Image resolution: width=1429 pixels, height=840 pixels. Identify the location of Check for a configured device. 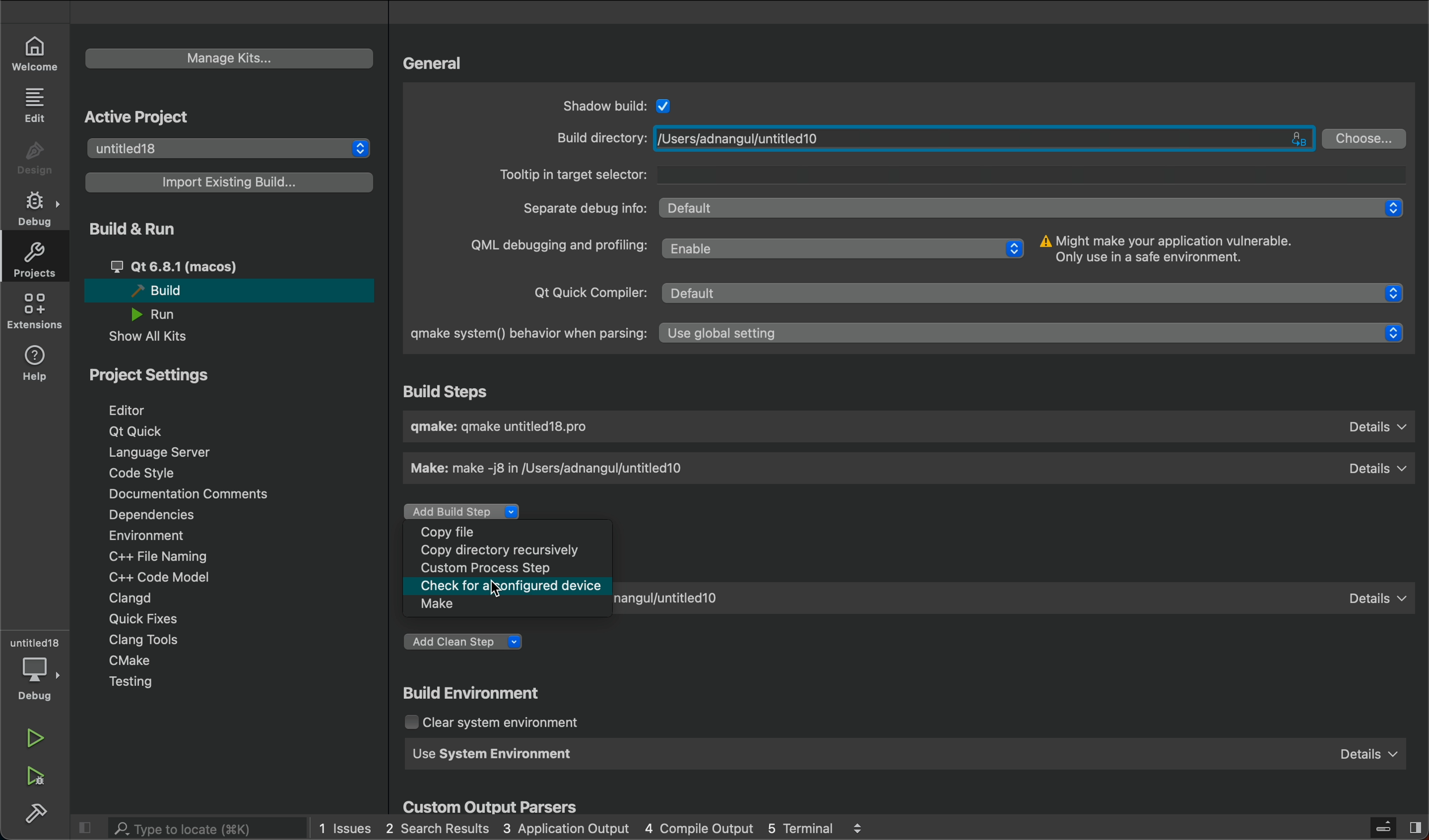
(508, 586).